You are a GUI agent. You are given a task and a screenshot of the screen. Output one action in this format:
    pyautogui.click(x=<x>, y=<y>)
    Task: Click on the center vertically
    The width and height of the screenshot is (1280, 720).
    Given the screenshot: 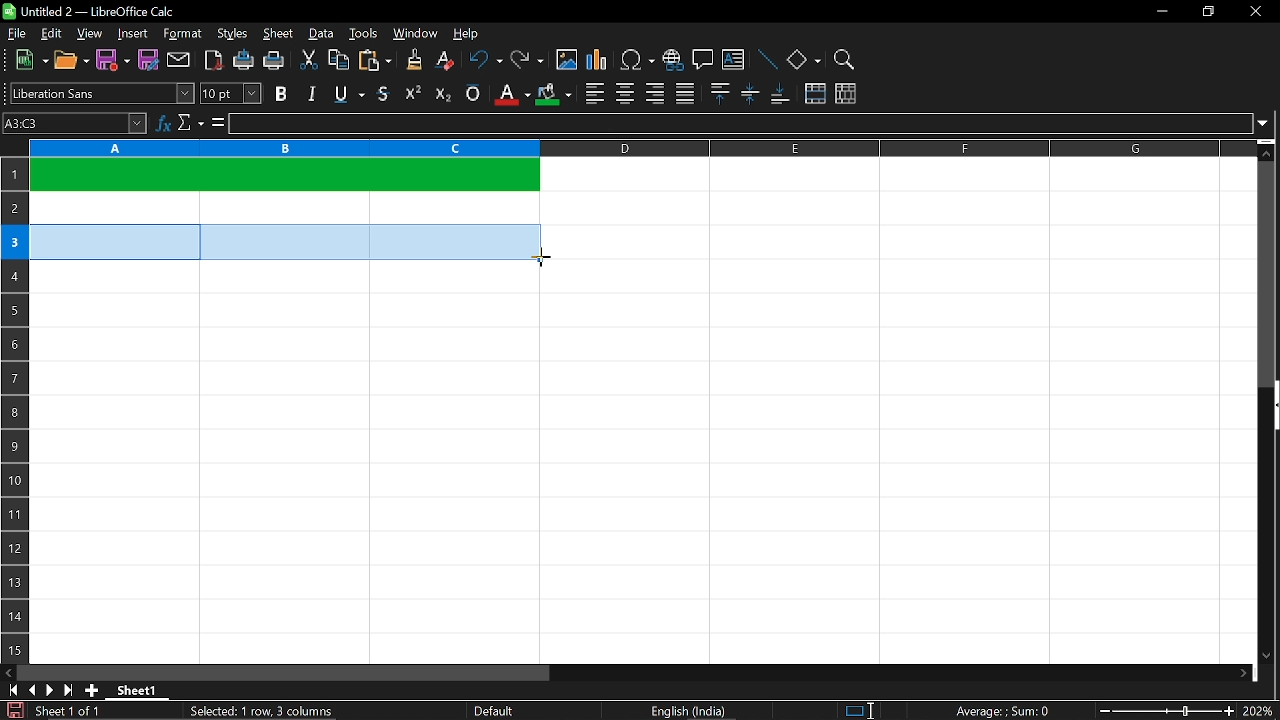 What is the action you would take?
    pyautogui.click(x=750, y=95)
    